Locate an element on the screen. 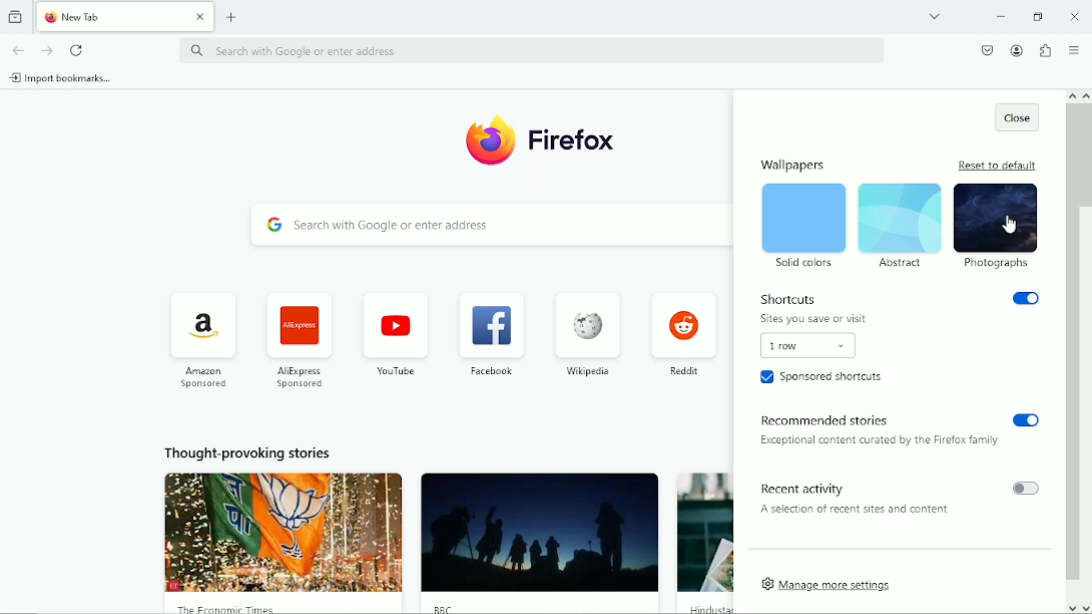 The height and width of the screenshot is (614, 1092). Current tab is located at coordinates (108, 16).